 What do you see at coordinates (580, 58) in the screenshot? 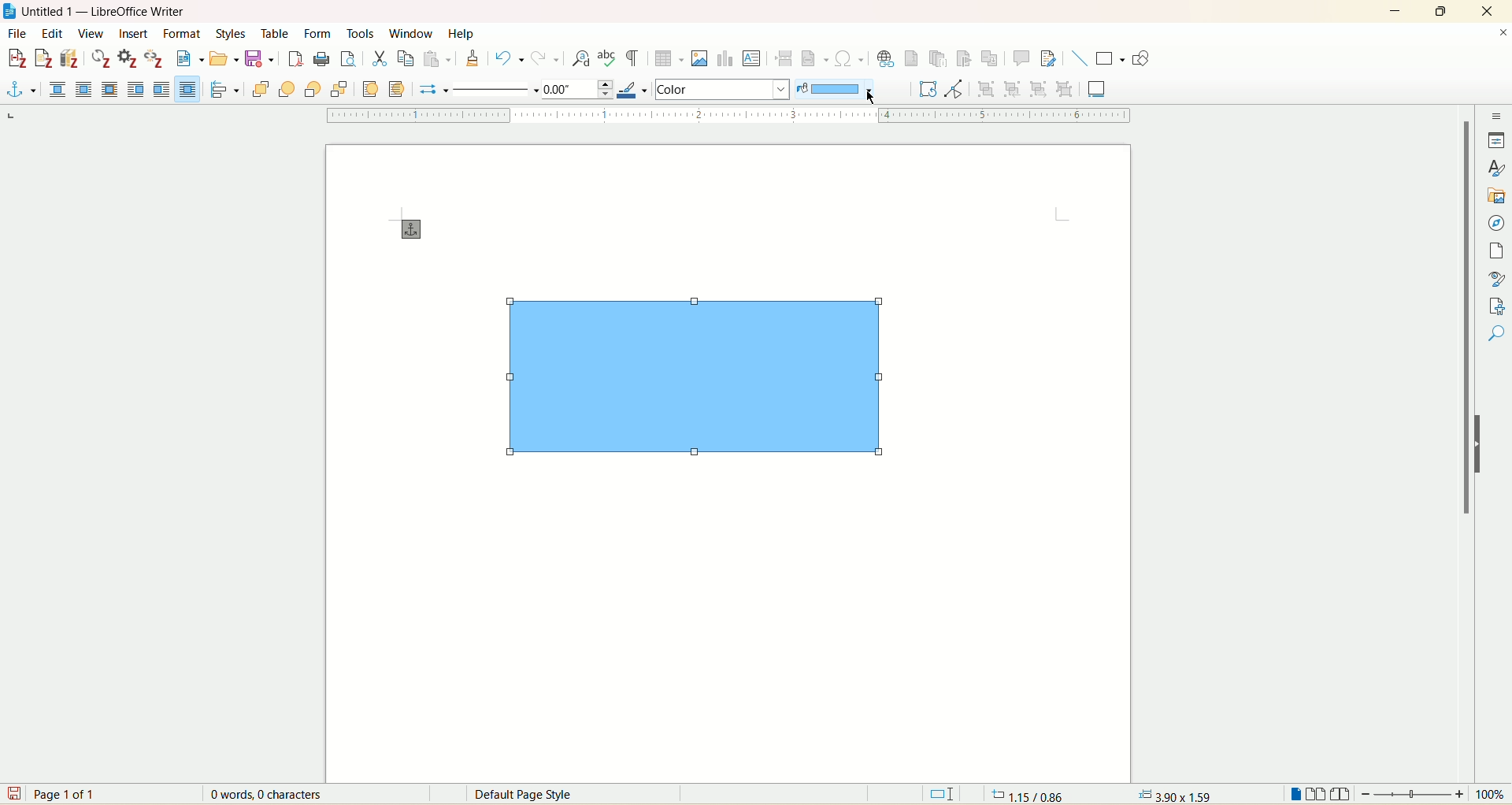
I see `find and replace` at bounding box center [580, 58].